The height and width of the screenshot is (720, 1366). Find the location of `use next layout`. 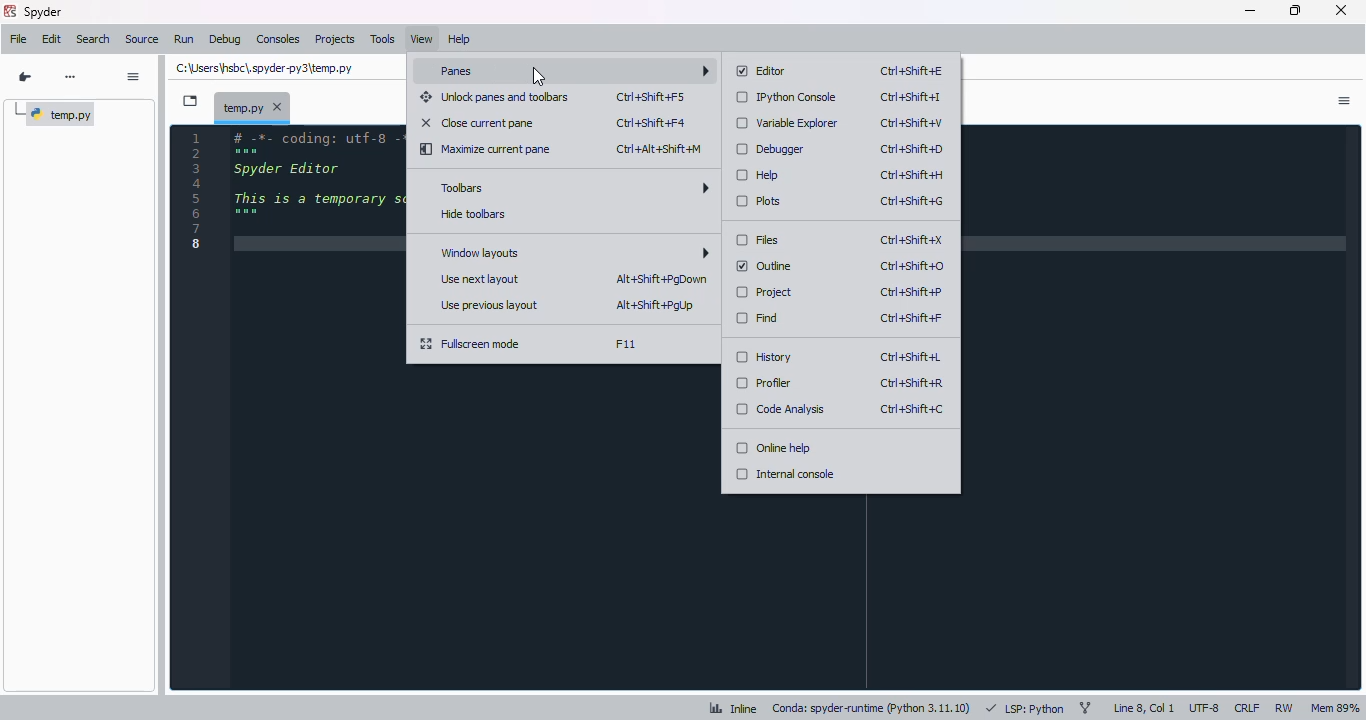

use next layout is located at coordinates (481, 279).